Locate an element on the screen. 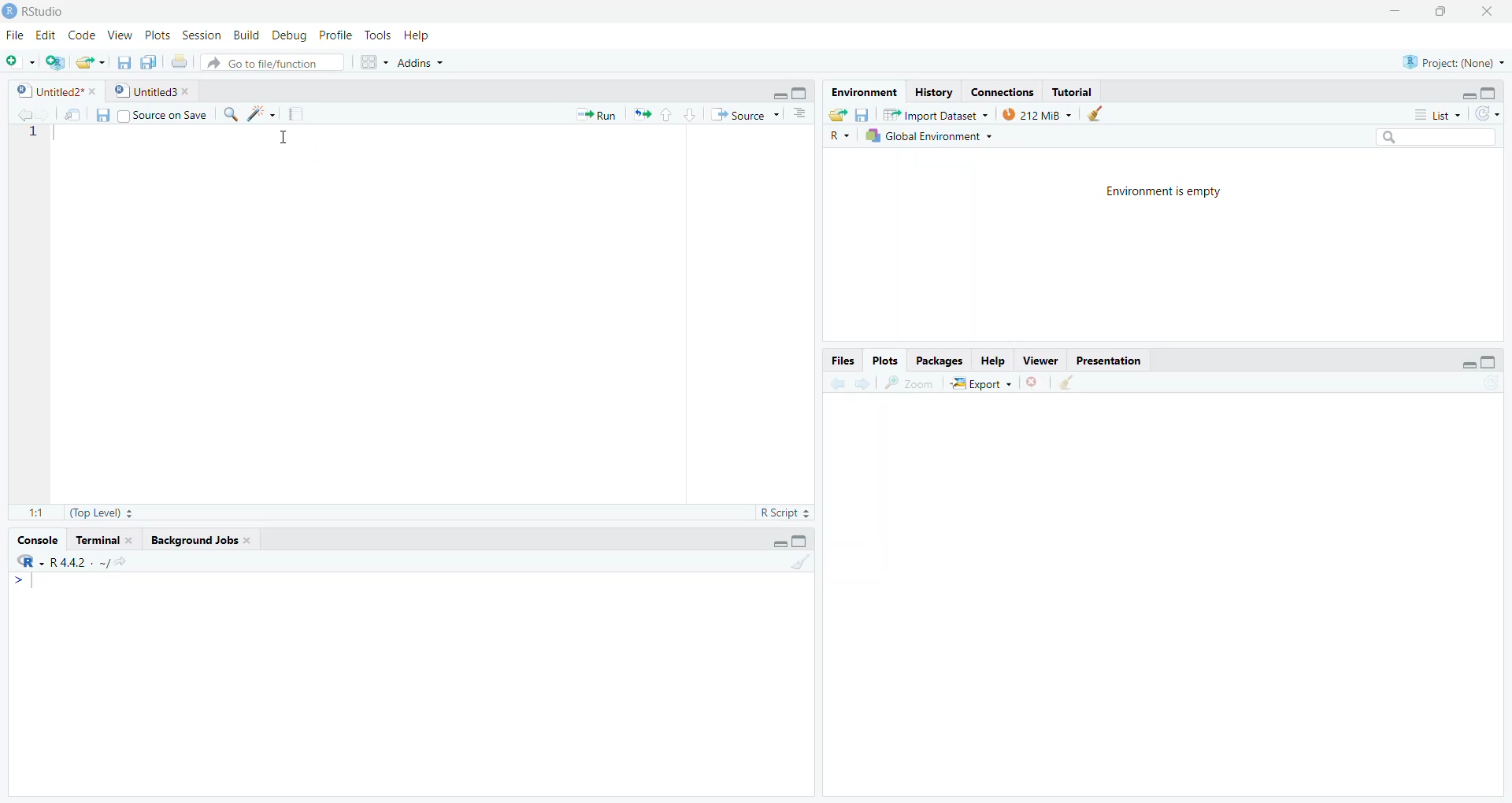  save all open documents is located at coordinates (151, 63).